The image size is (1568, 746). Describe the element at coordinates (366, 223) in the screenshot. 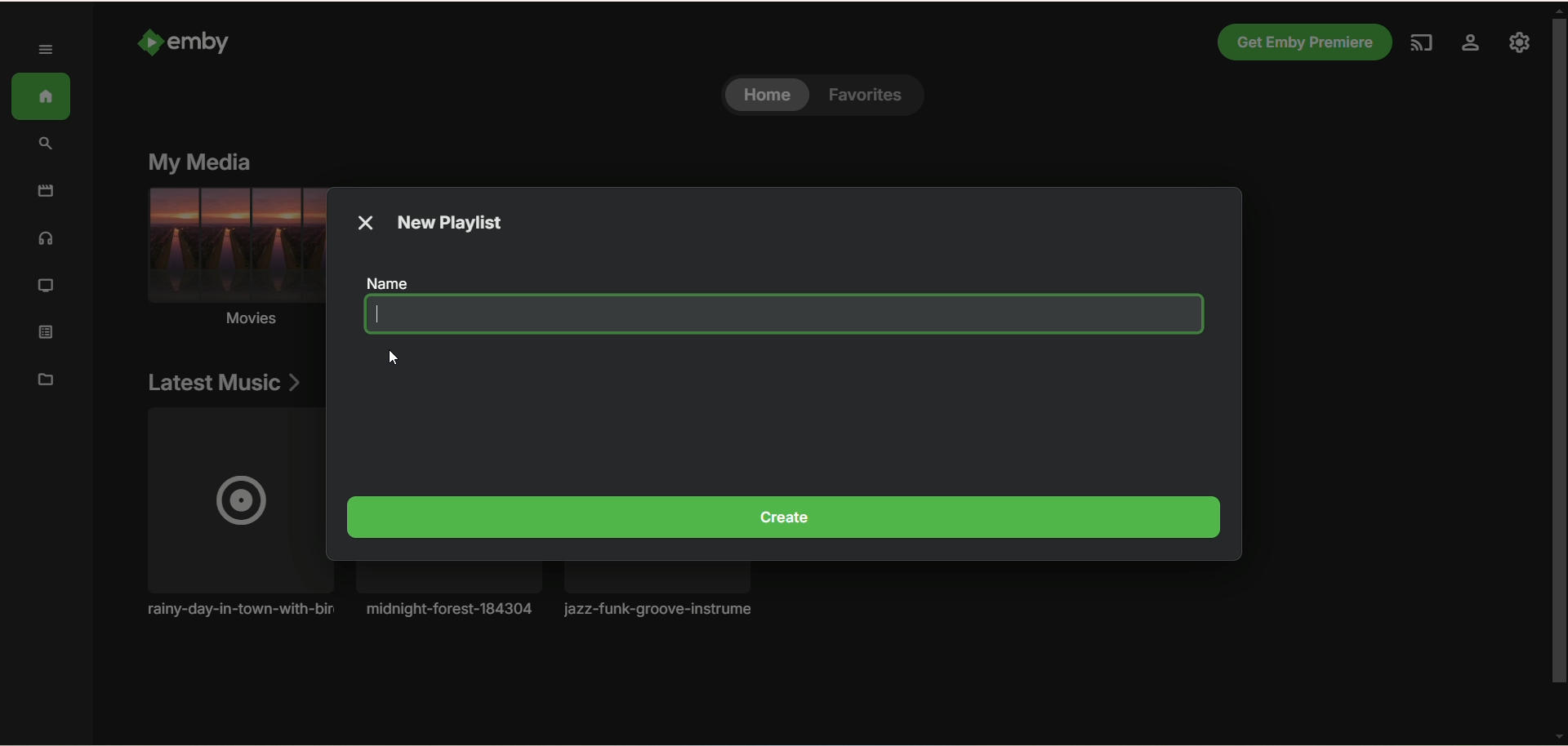

I see `close` at that location.